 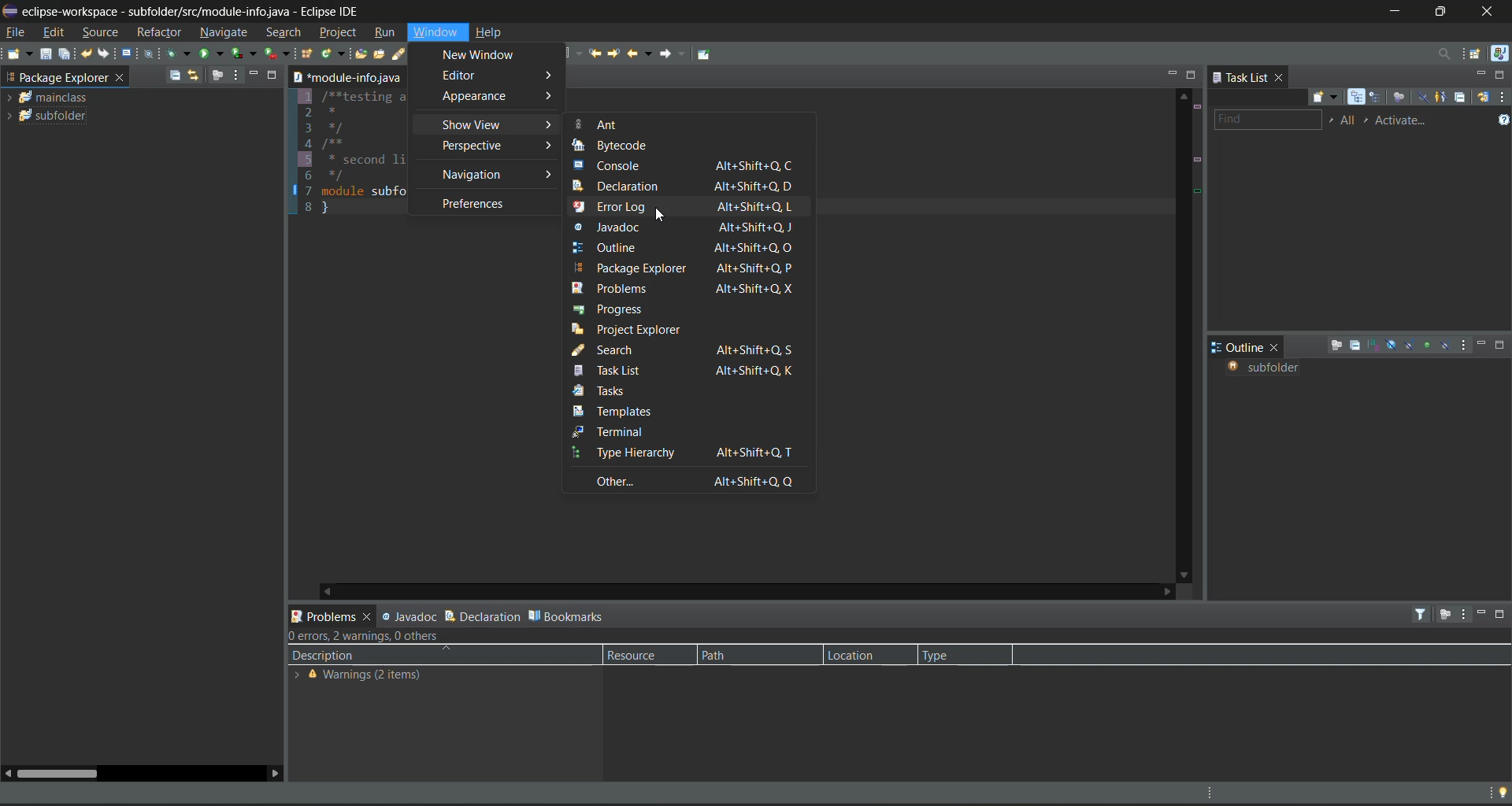 What do you see at coordinates (55, 97) in the screenshot?
I see `mainclass` at bounding box center [55, 97].